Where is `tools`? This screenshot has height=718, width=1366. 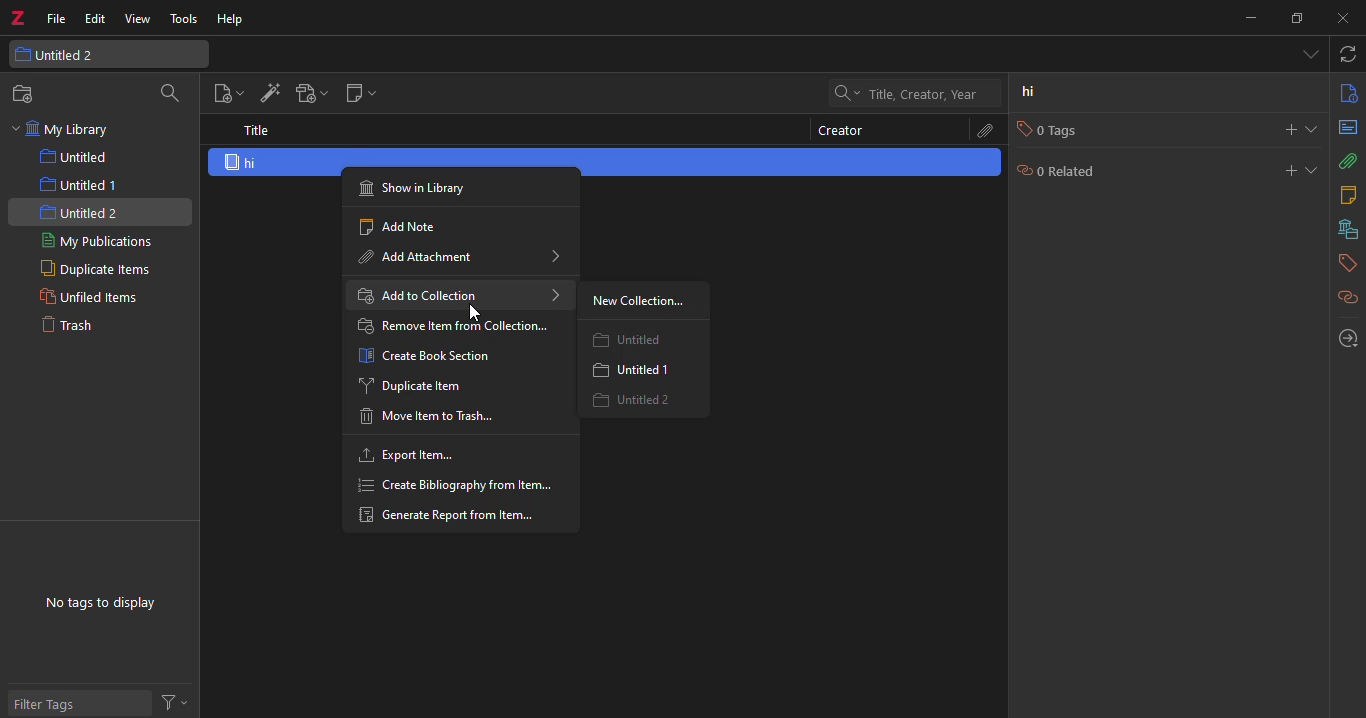 tools is located at coordinates (186, 19).